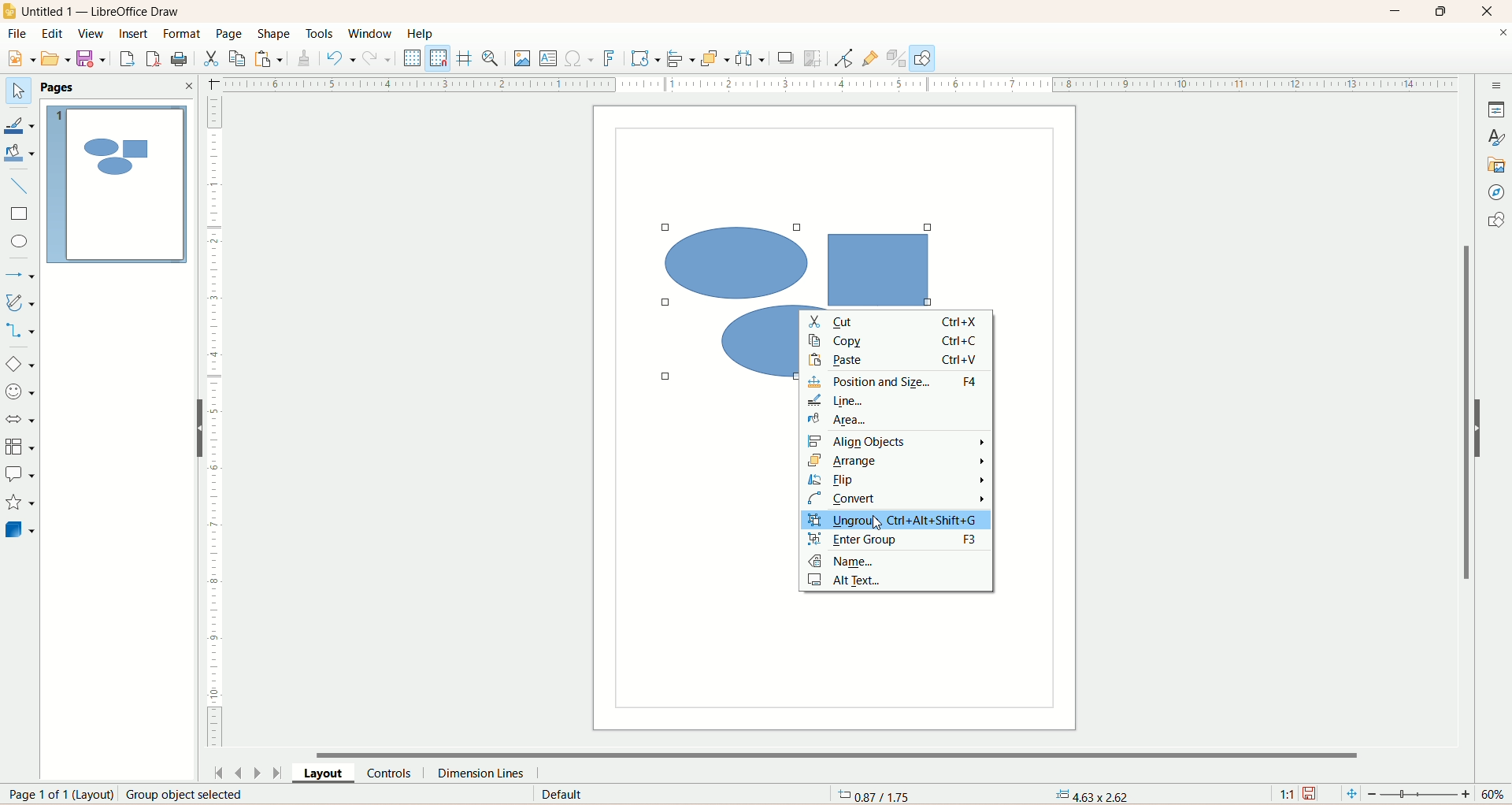 This screenshot has width=1512, height=805. What do you see at coordinates (922, 58) in the screenshot?
I see `draw function` at bounding box center [922, 58].